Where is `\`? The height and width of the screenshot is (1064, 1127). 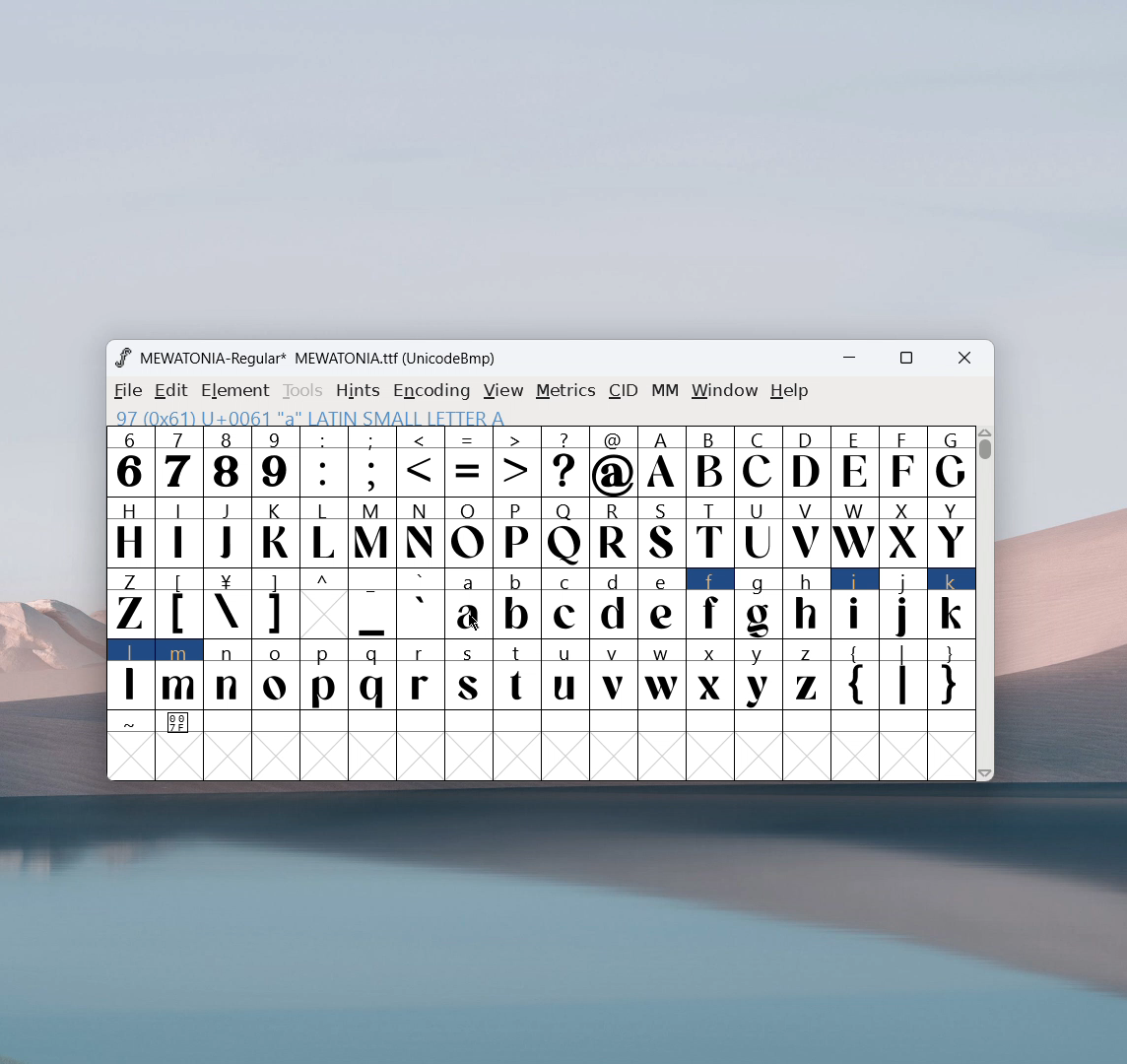
\ is located at coordinates (227, 604).